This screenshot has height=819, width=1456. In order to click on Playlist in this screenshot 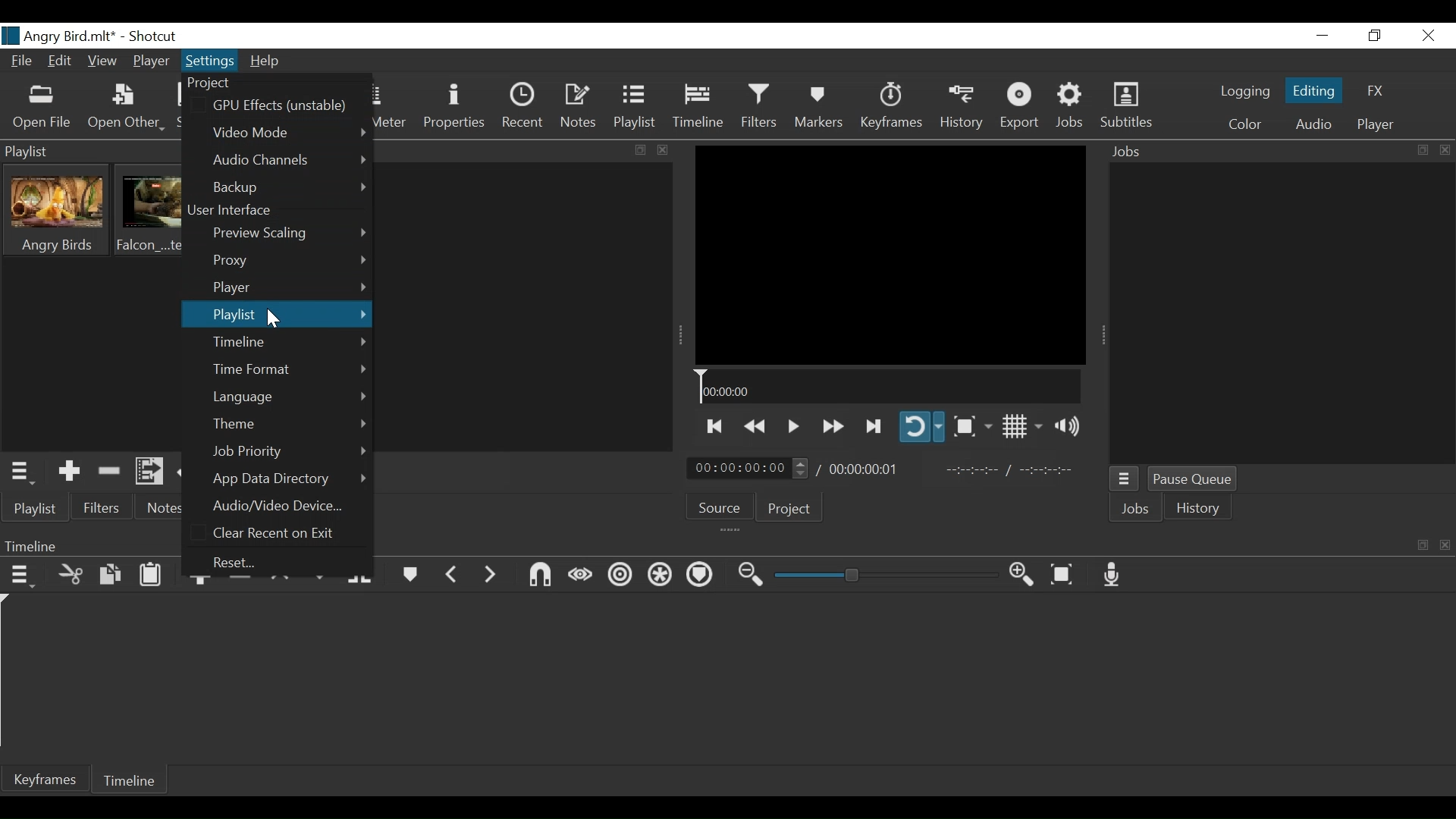, I will do `click(275, 315)`.